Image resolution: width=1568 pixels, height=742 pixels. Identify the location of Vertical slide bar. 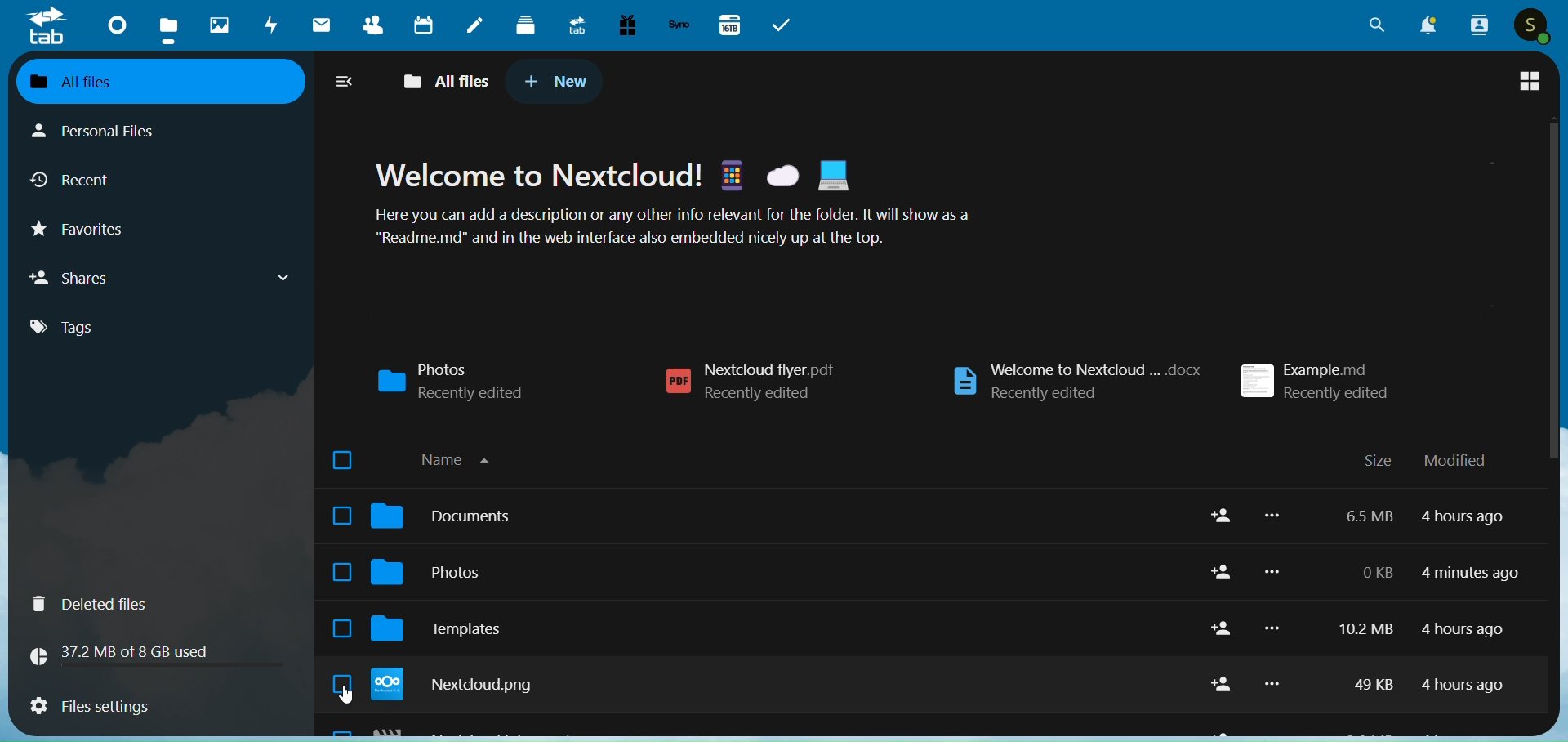
(1554, 362).